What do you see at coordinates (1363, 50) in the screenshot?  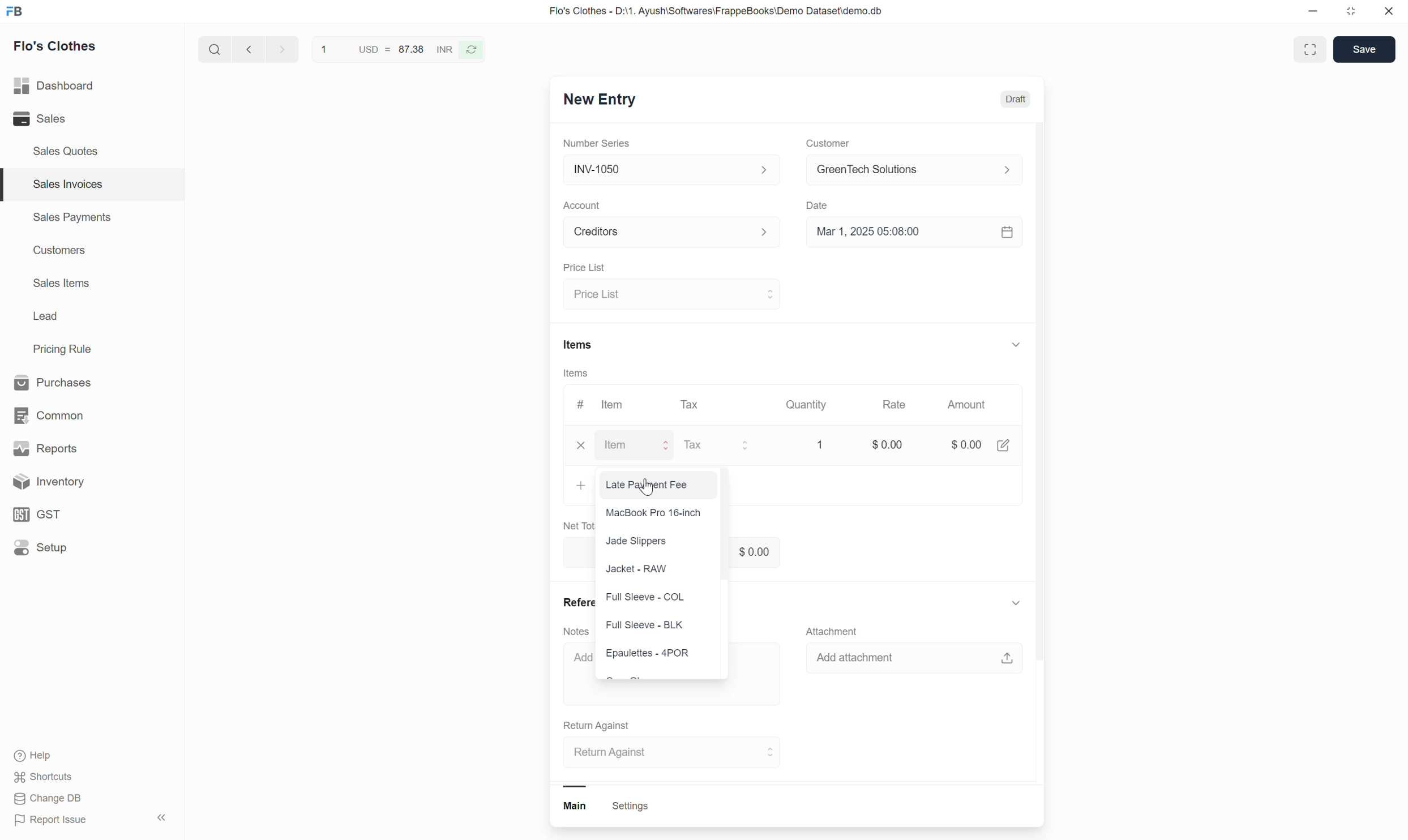 I see `save` at bounding box center [1363, 50].